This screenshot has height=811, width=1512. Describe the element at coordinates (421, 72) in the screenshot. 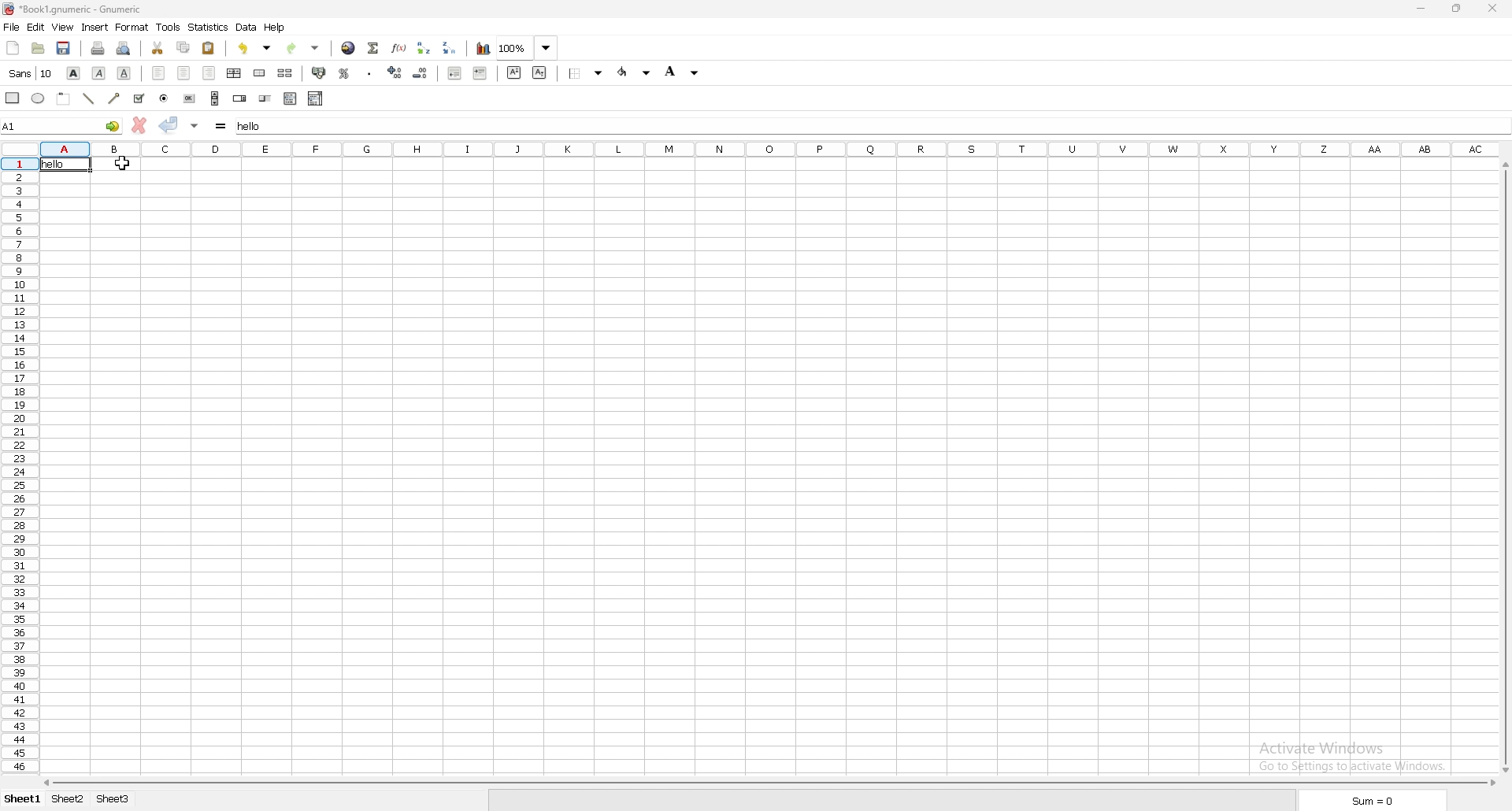

I see `decrease decimal number` at that location.